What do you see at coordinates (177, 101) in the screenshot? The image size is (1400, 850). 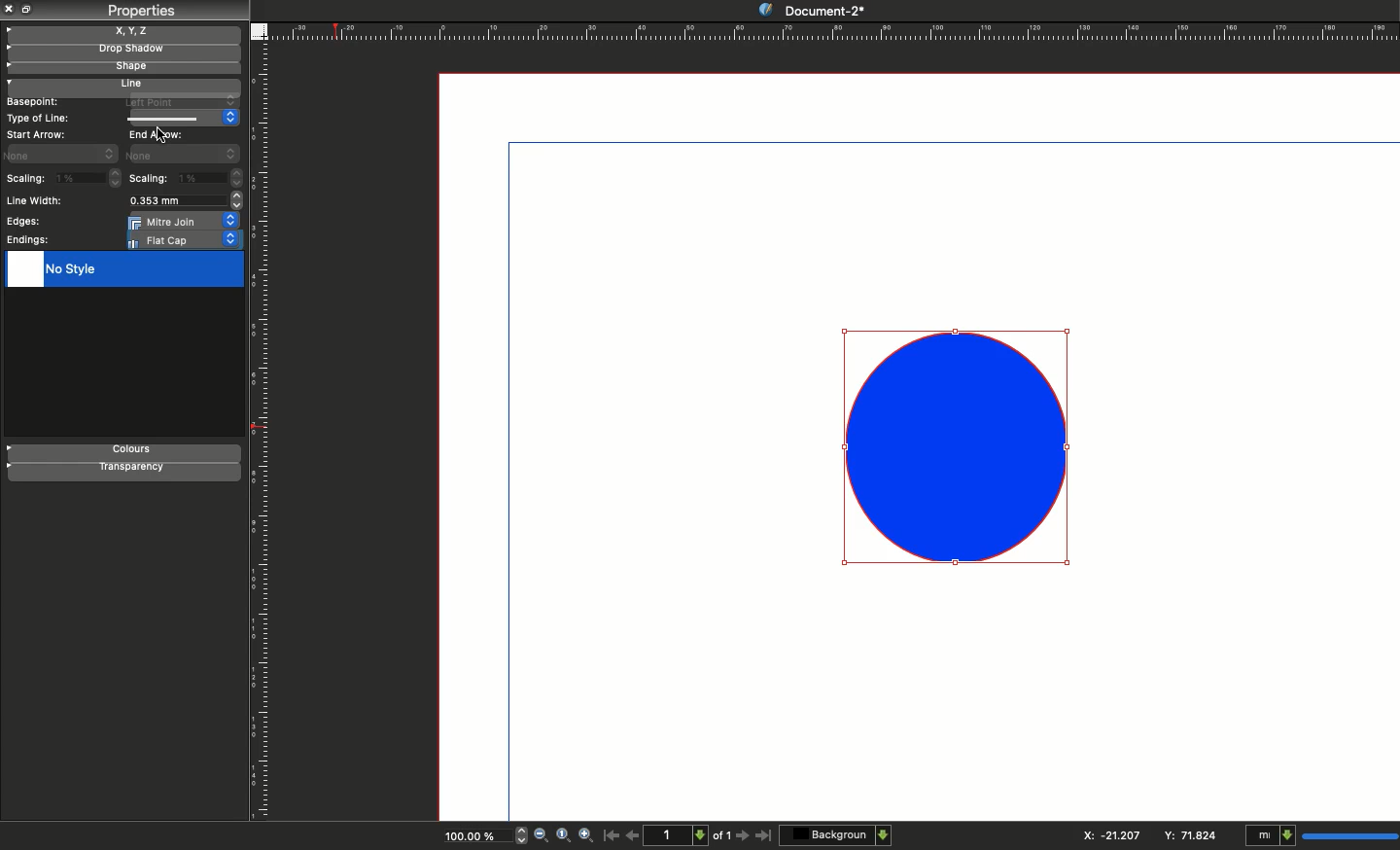 I see `Line point` at bounding box center [177, 101].